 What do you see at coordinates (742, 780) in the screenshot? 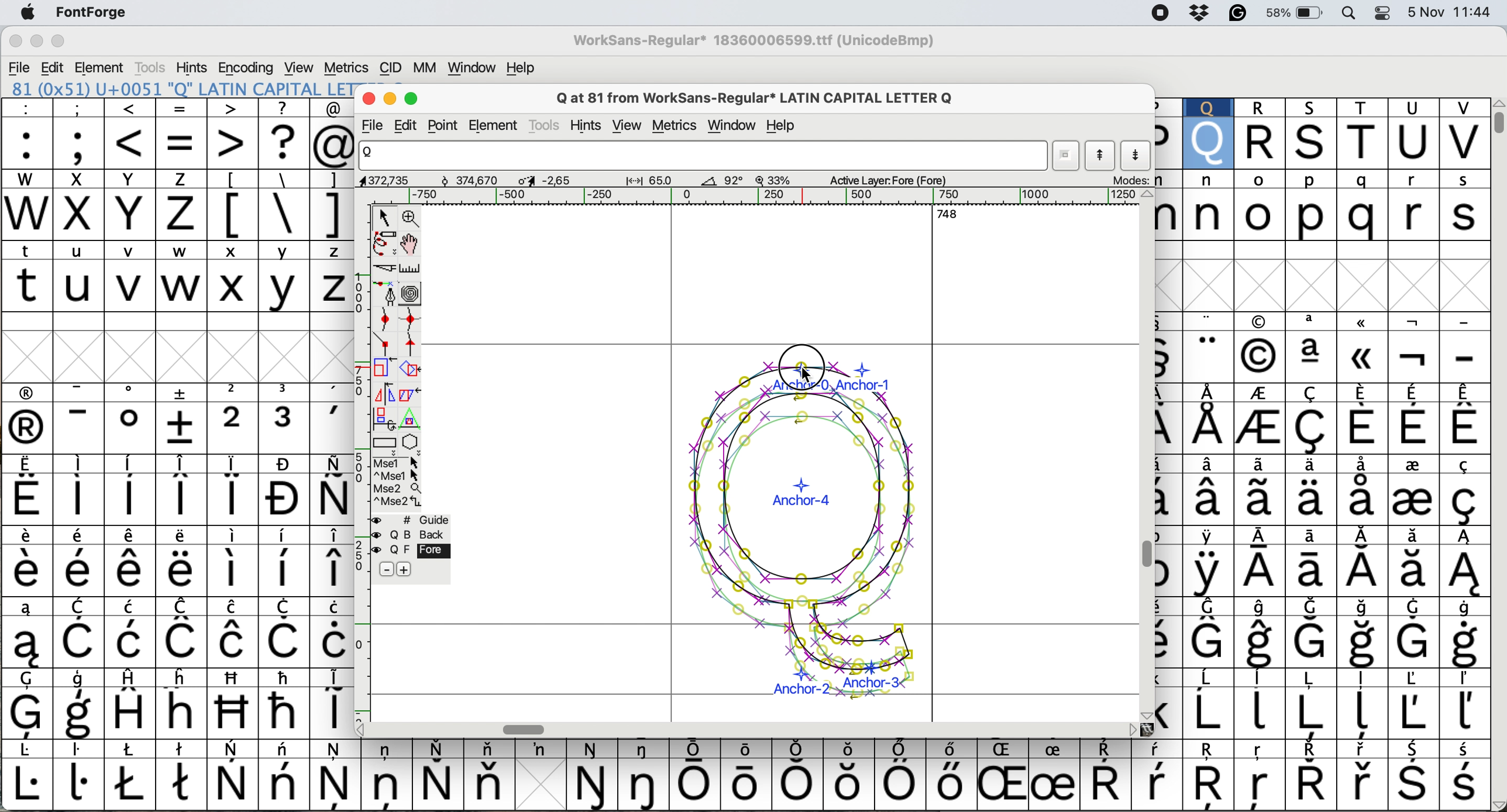
I see `special characters` at bounding box center [742, 780].